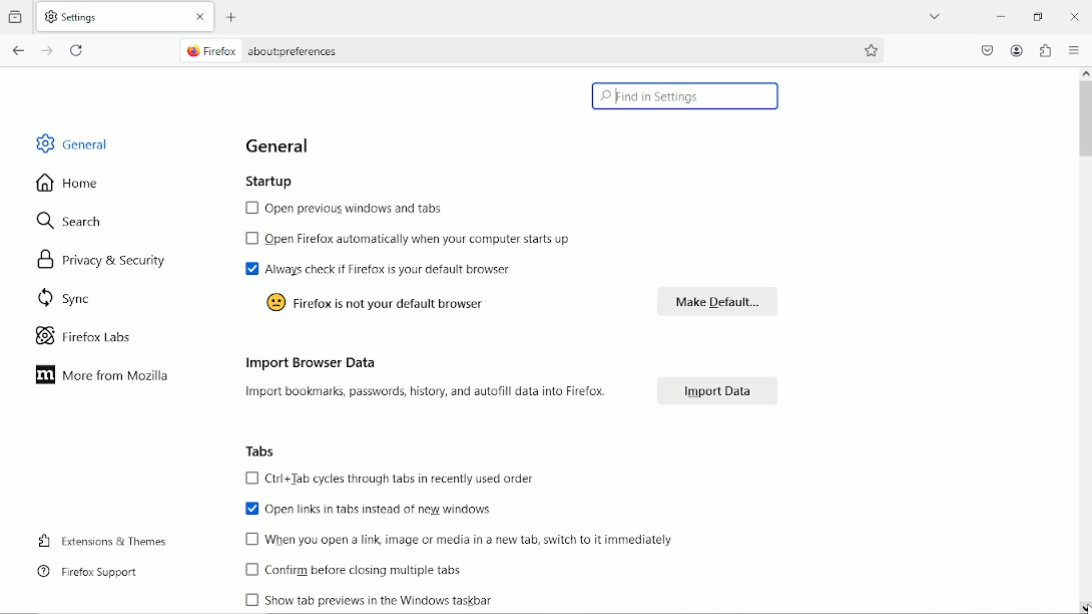 The image size is (1092, 614). Describe the element at coordinates (1085, 122) in the screenshot. I see `vertical scrollbar` at that location.